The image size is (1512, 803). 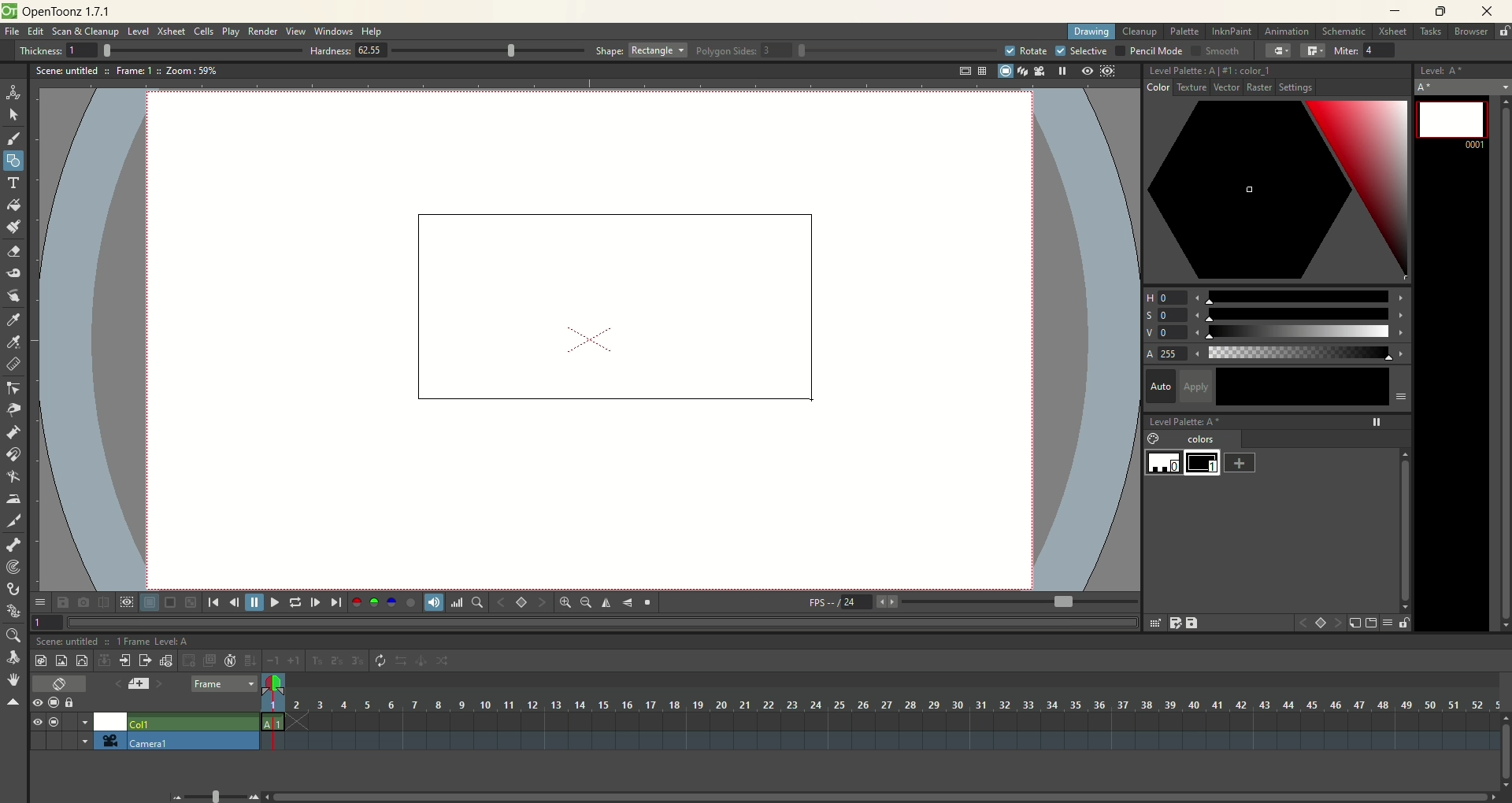 What do you see at coordinates (606, 302) in the screenshot?
I see `rectangle shape` at bounding box center [606, 302].